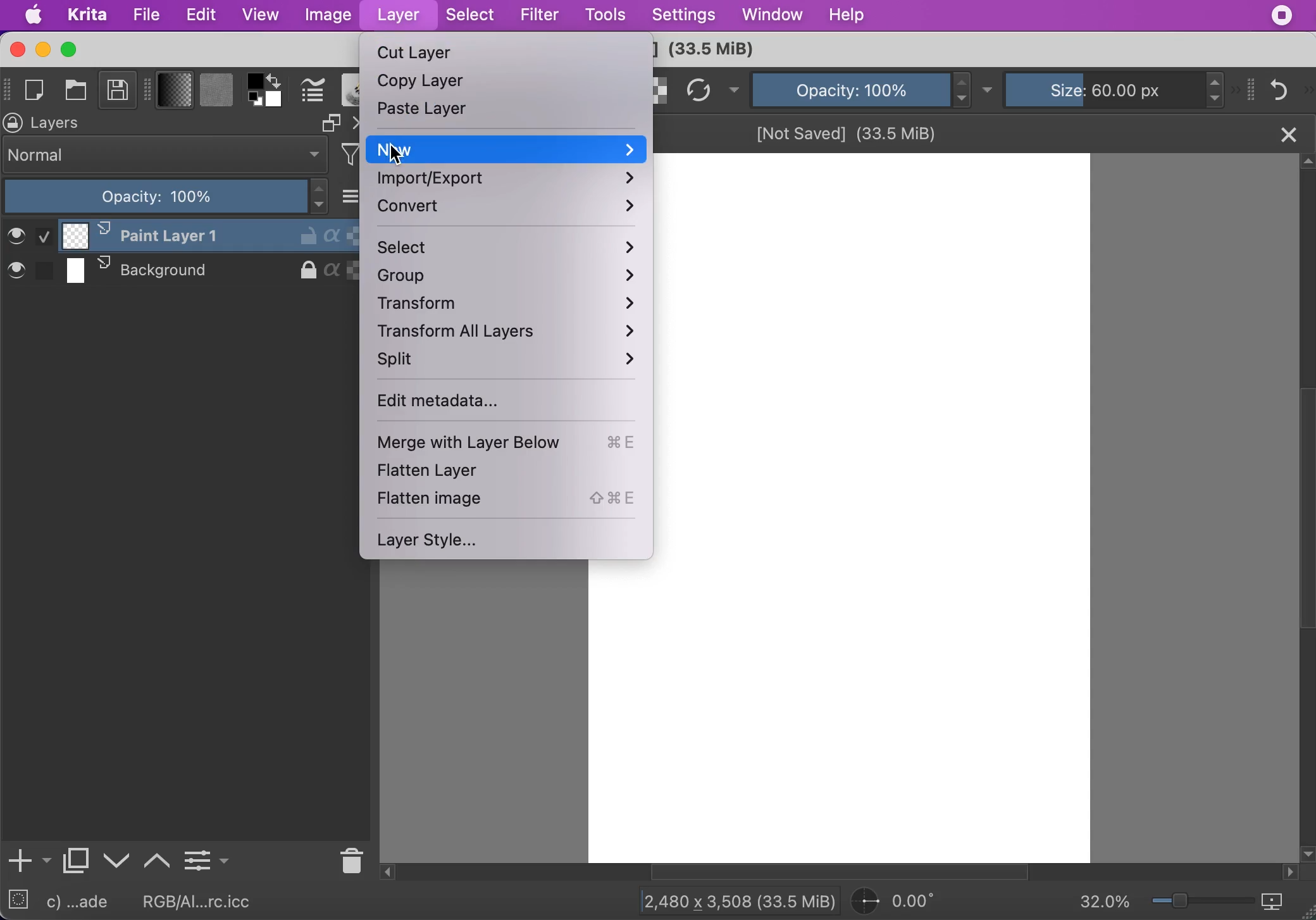 The image size is (1316, 920). Describe the element at coordinates (278, 80) in the screenshot. I see `swap foreground and background colors` at that location.